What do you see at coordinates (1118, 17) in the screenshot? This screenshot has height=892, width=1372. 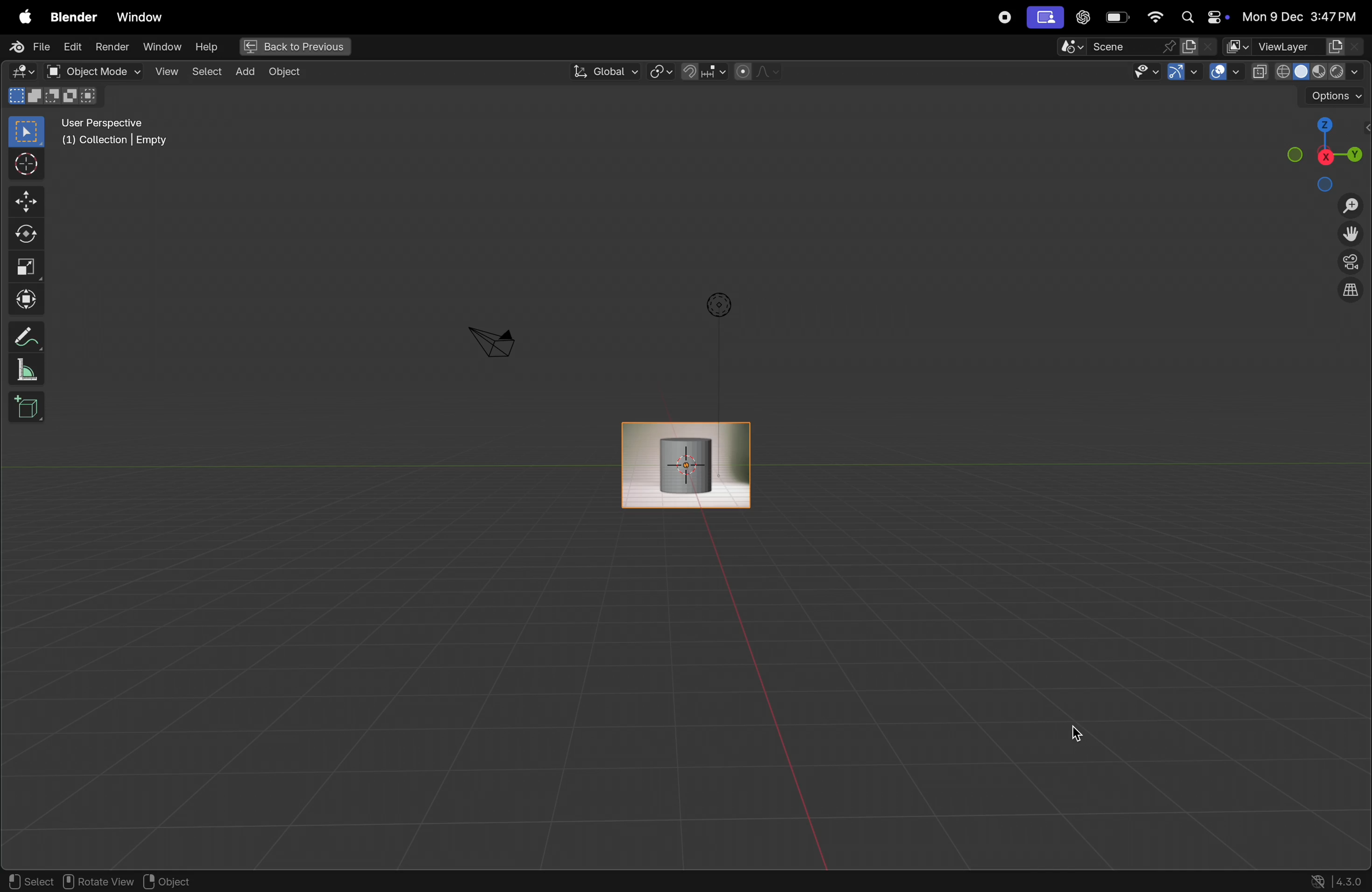 I see `battery` at bounding box center [1118, 17].